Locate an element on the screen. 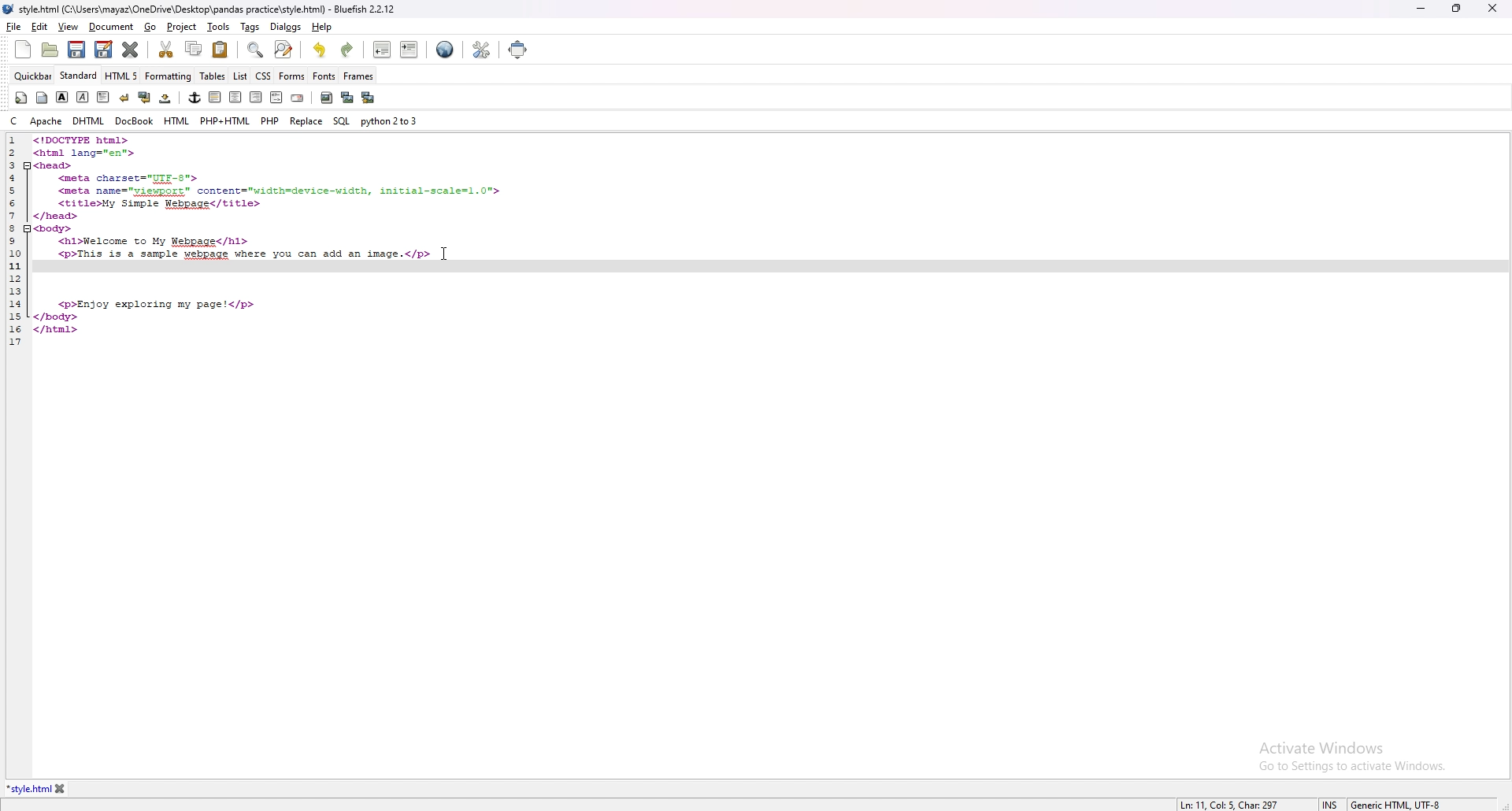  tags is located at coordinates (249, 27).